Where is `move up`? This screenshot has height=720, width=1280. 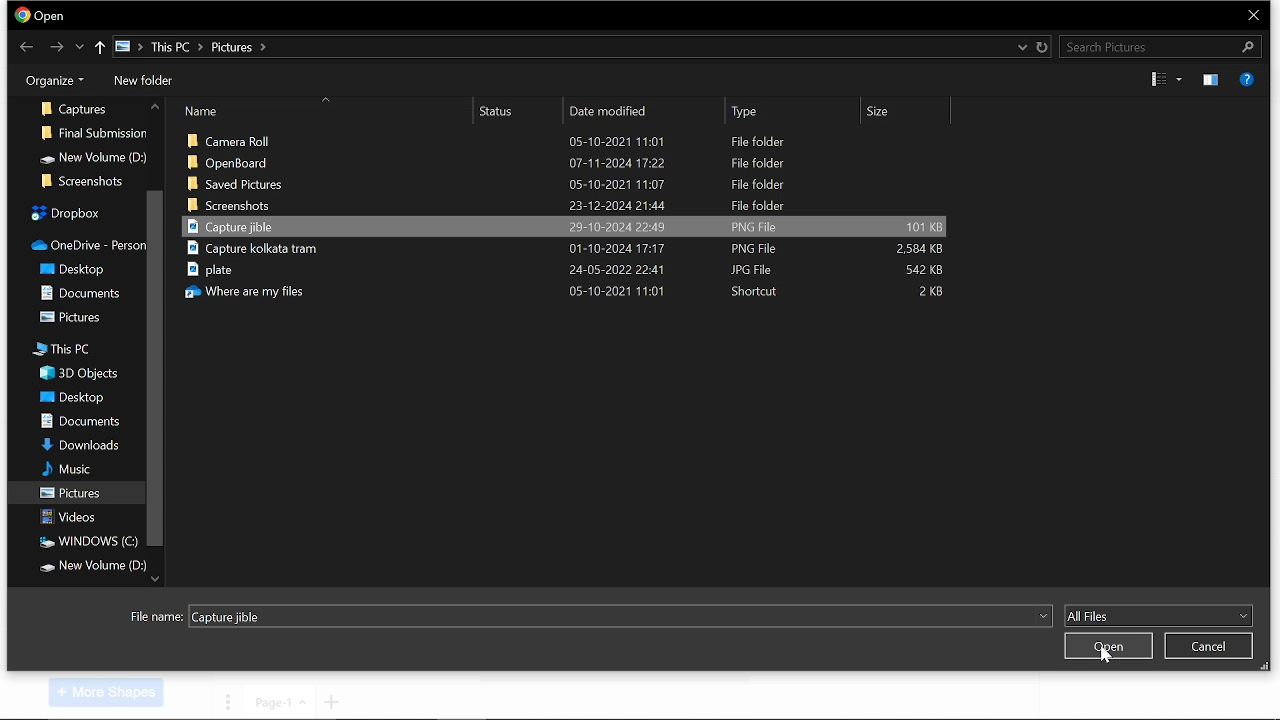
move up is located at coordinates (152, 108).